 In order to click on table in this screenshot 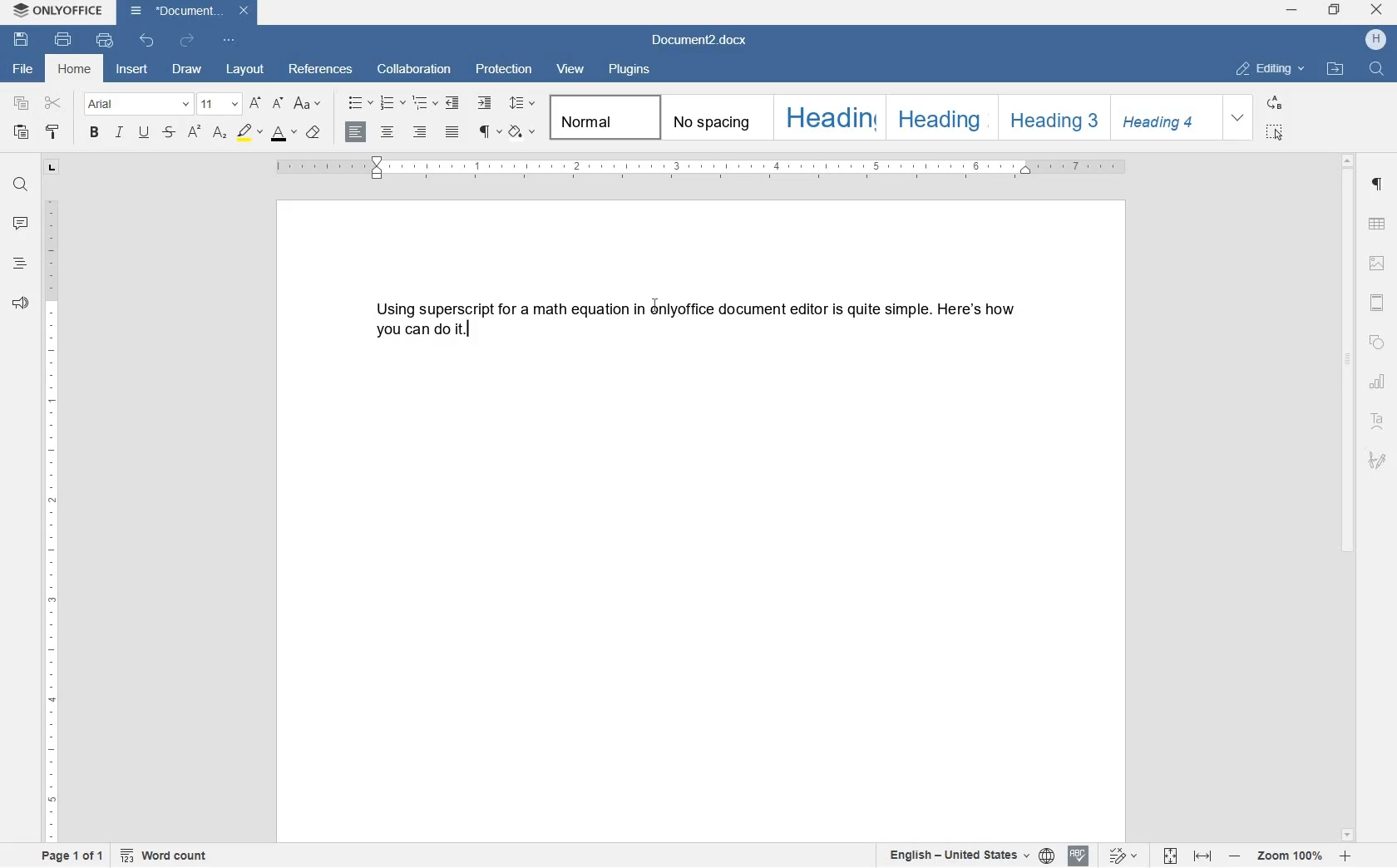, I will do `click(1378, 224)`.